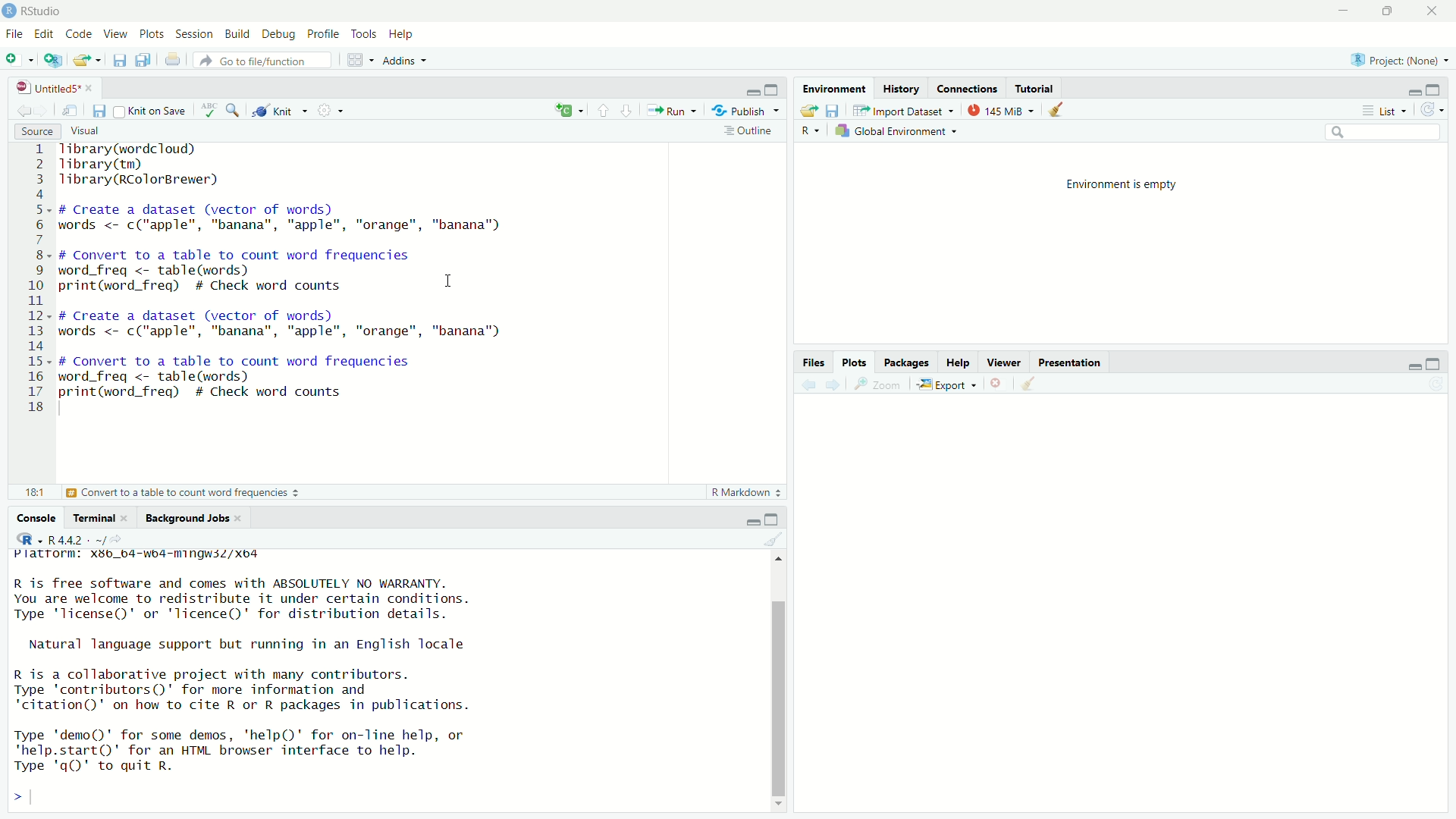 This screenshot has height=819, width=1456. I want to click on Minimize, so click(754, 523).